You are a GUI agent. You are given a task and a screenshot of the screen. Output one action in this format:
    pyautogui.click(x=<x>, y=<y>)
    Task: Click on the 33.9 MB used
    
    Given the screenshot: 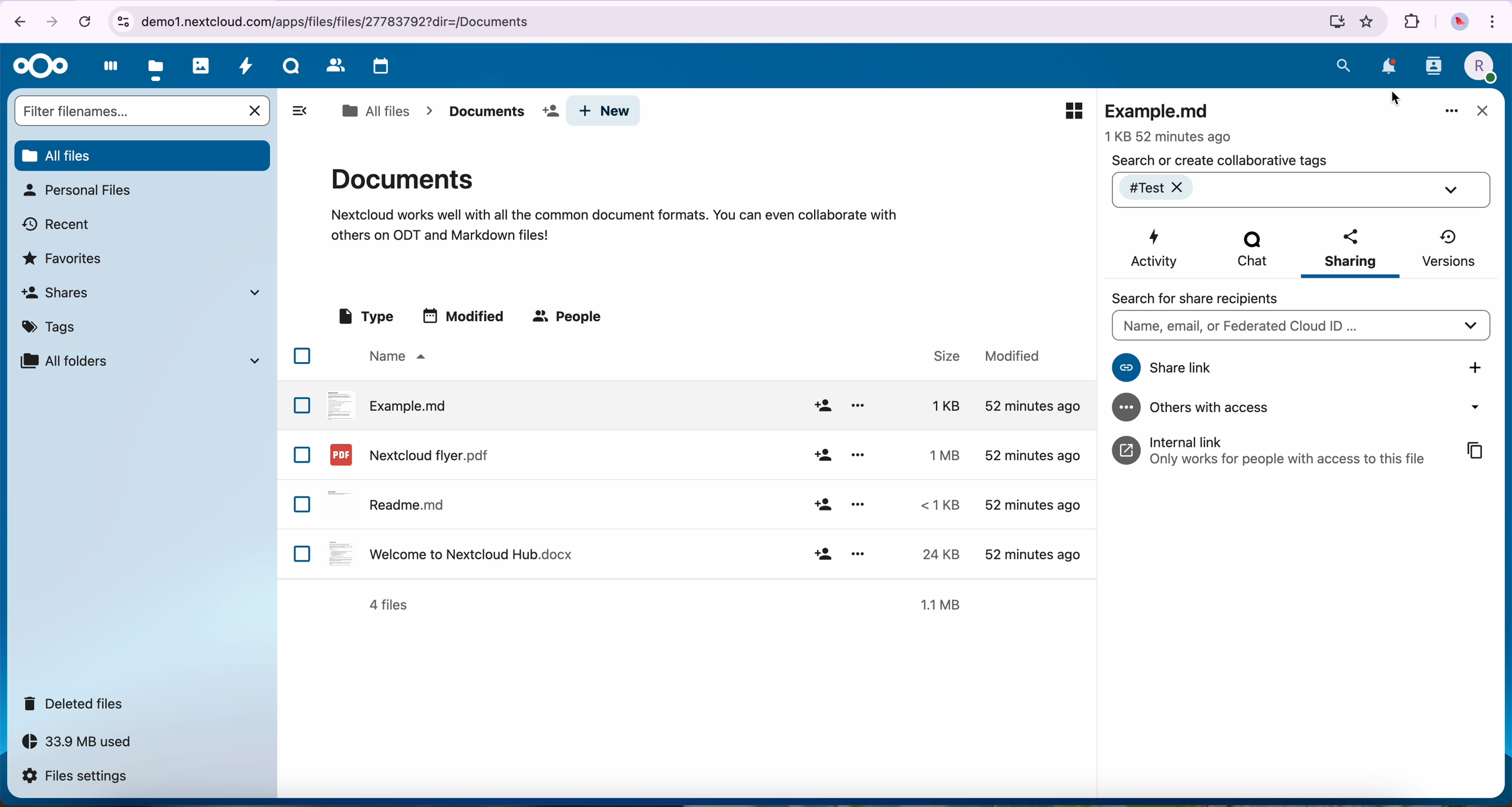 What is the action you would take?
    pyautogui.click(x=88, y=745)
    